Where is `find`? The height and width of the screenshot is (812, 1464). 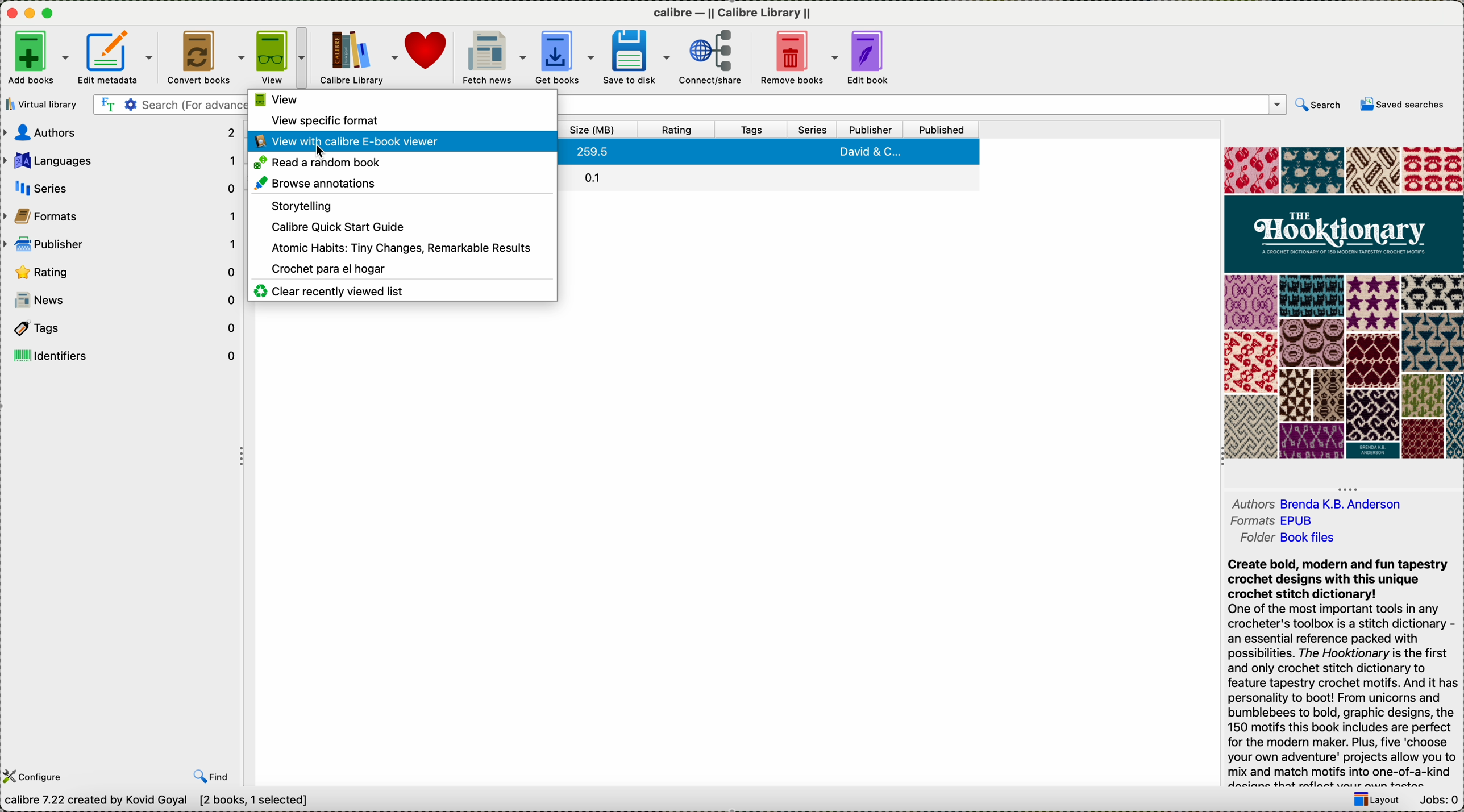
find is located at coordinates (211, 774).